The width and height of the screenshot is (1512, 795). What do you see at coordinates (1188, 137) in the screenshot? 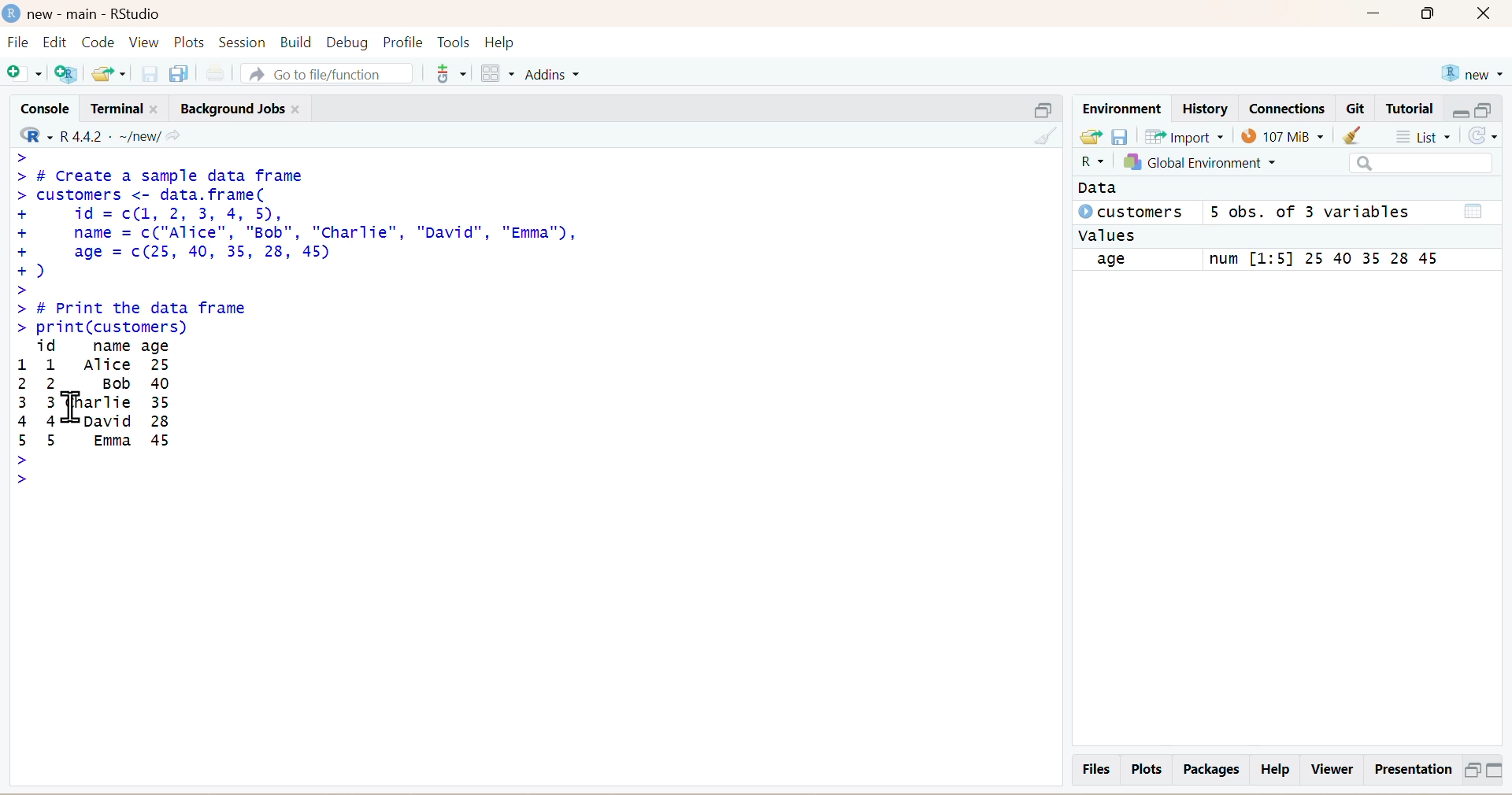
I see `Import` at bounding box center [1188, 137].